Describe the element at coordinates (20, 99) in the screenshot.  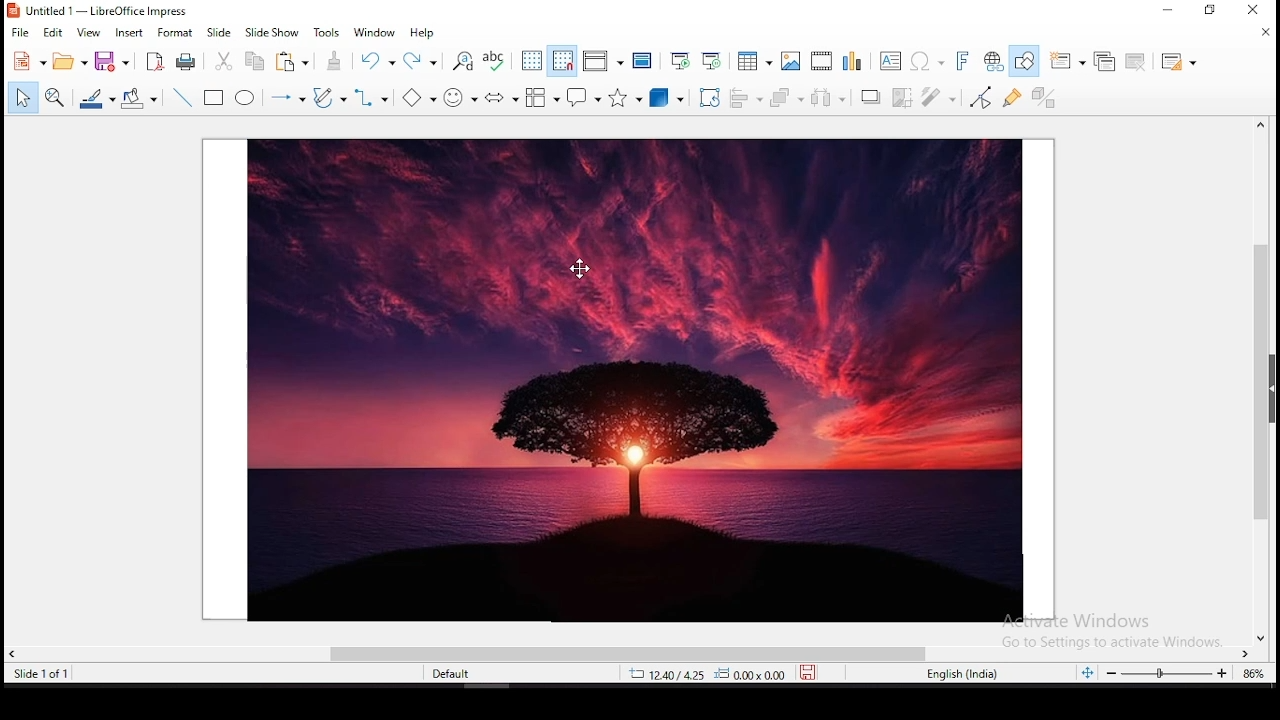
I see `select tool` at that location.